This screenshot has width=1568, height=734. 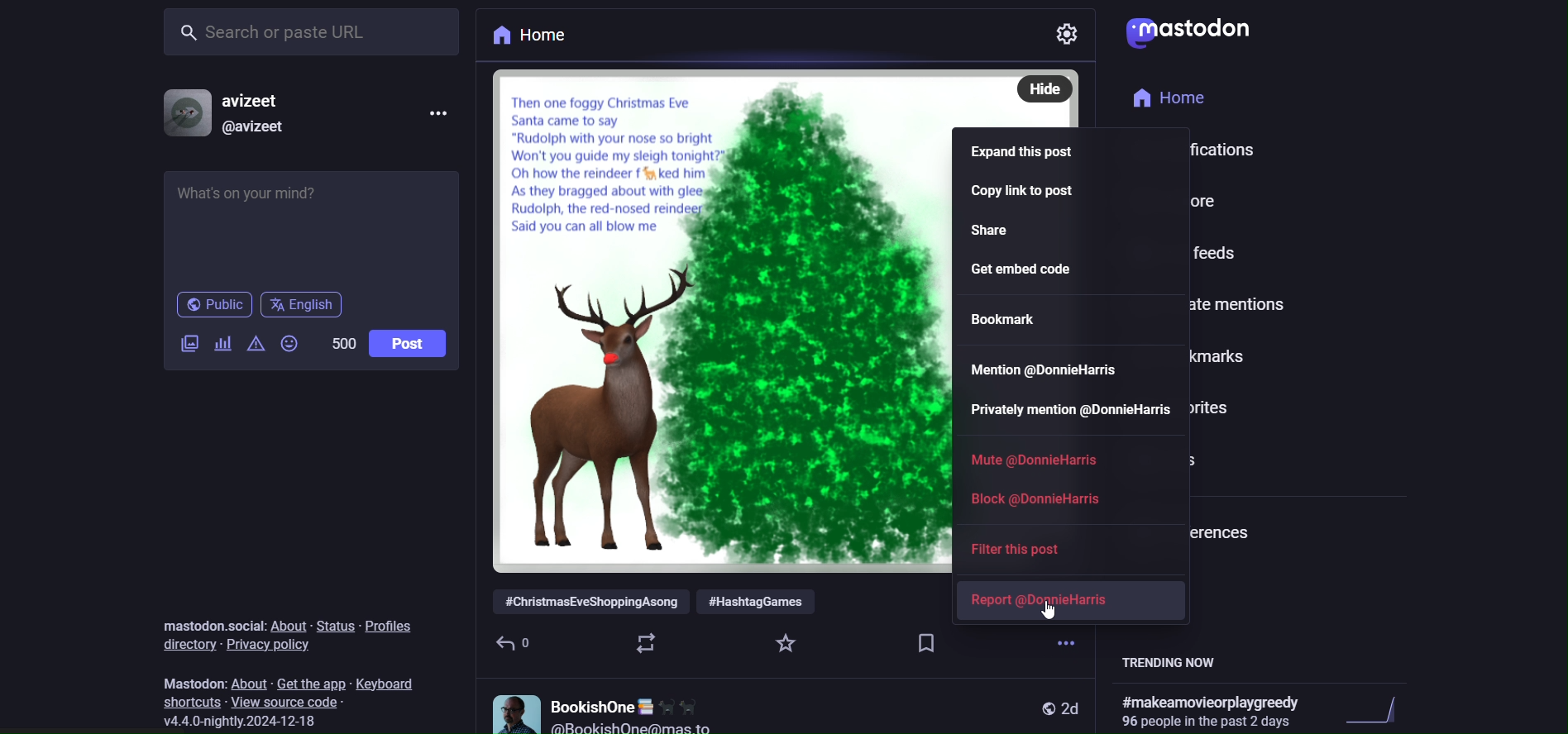 I want to click on image/video, so click(x=185, y=345).